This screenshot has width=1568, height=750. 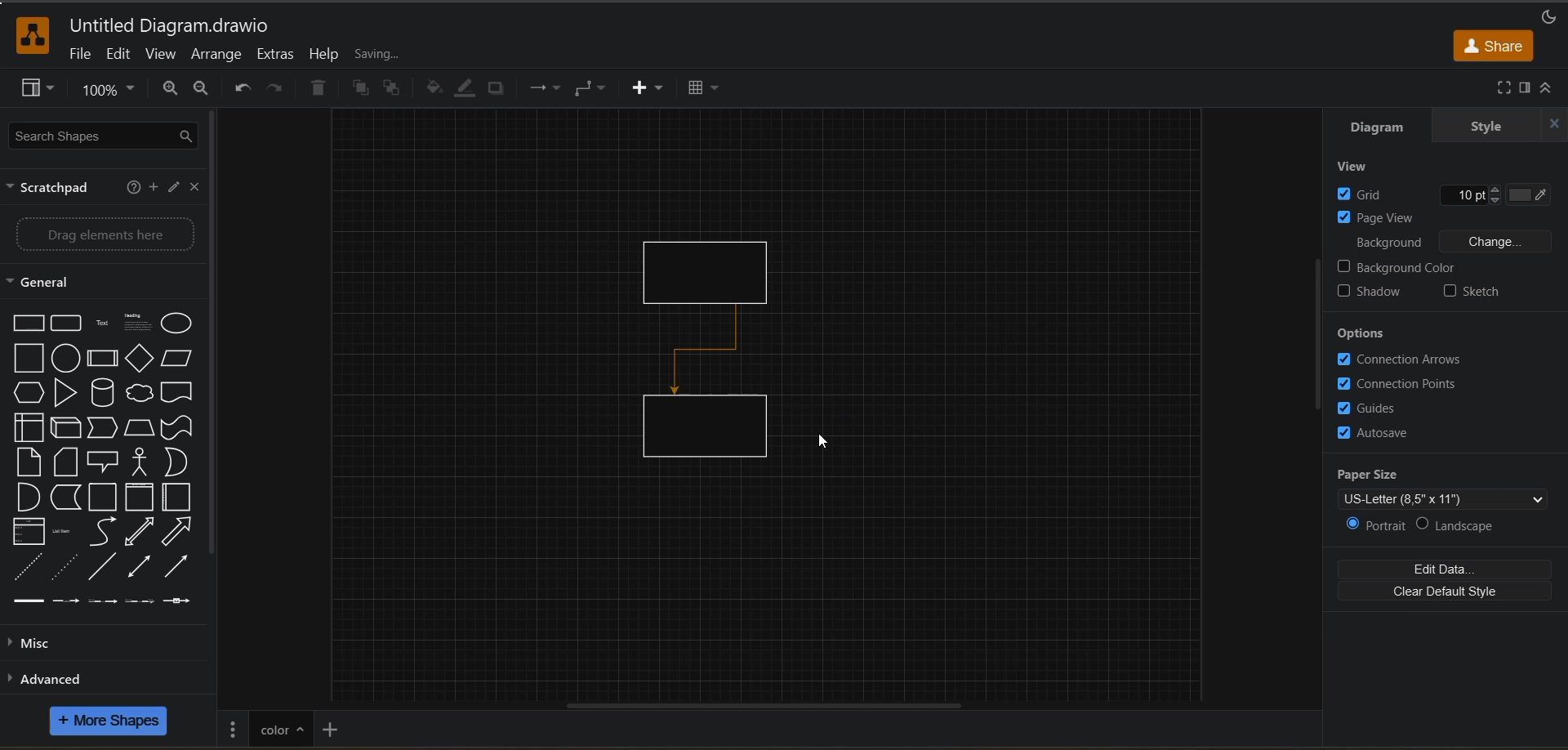 What do you see at coordinates (1550, 125) in the screenshot?
I see `close` at bounding box center [1550, 125].